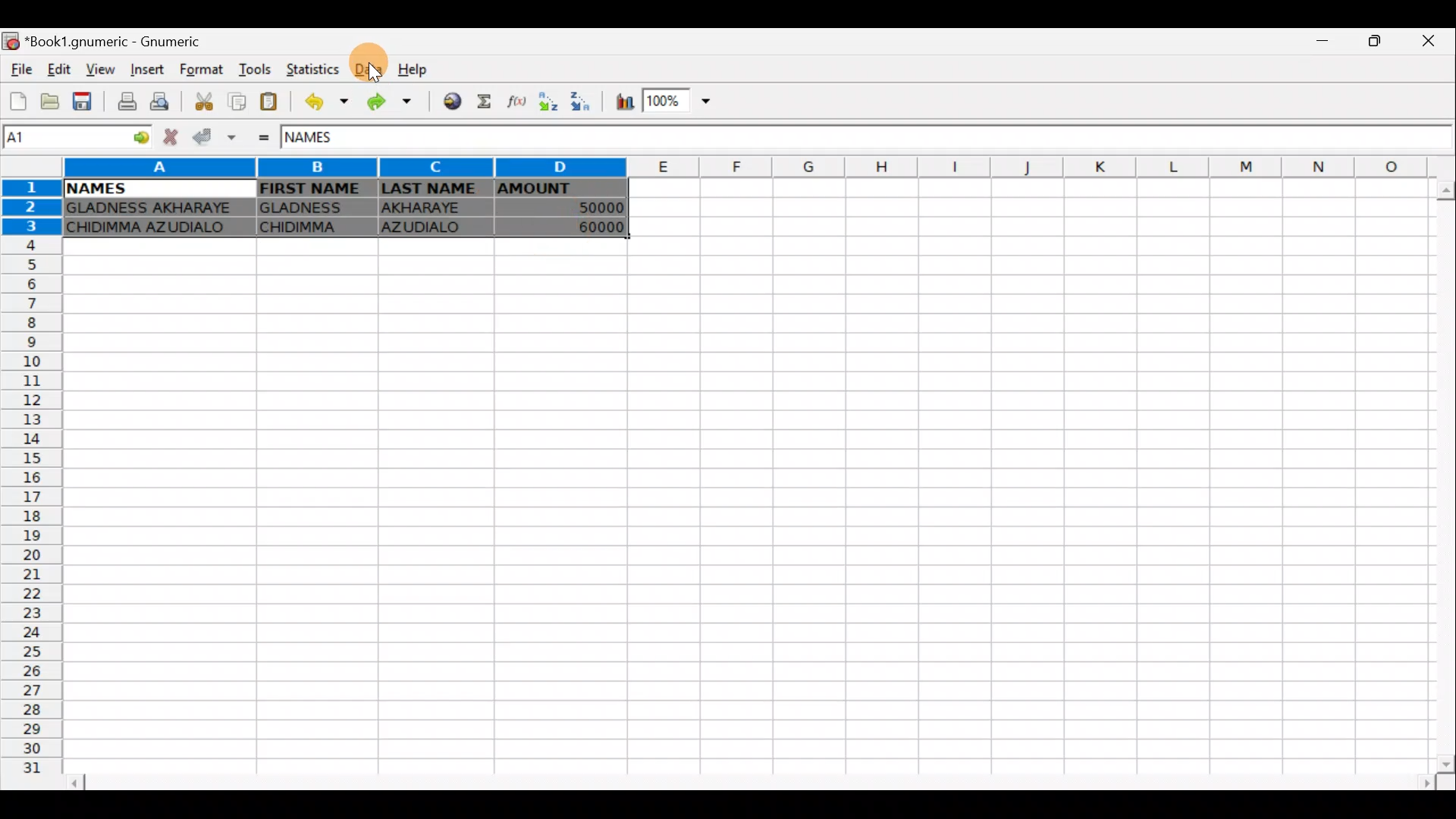 The width and height of the screenshot is (1456, 819). Describe the element at coordinates (433, 190) in the screenshot. I see `LAST NAME` at that location.